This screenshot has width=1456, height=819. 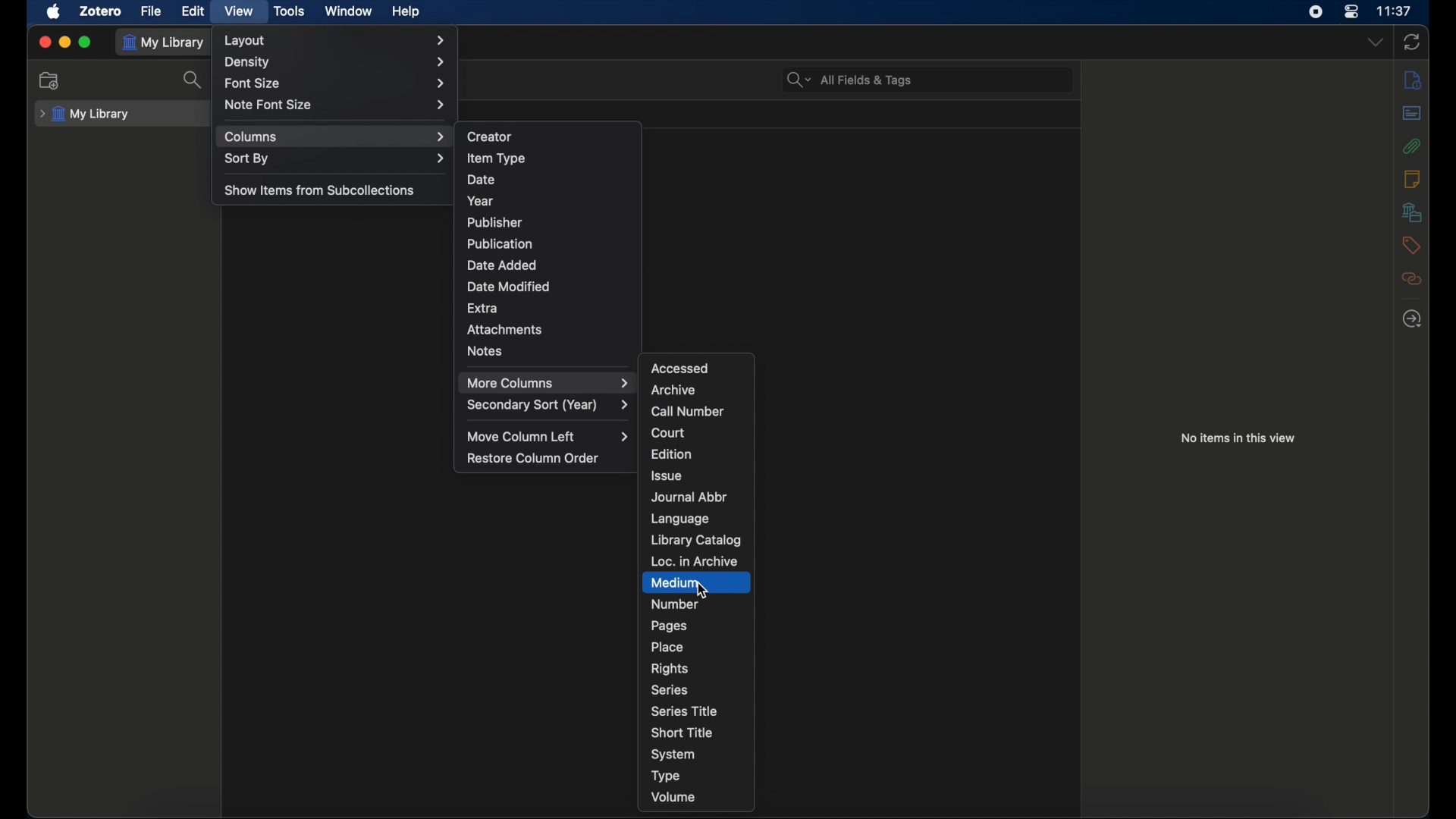 What do you see at coordinates (193, 11) in the screenshot?
I see `edit` at bounding box center [193, 11].